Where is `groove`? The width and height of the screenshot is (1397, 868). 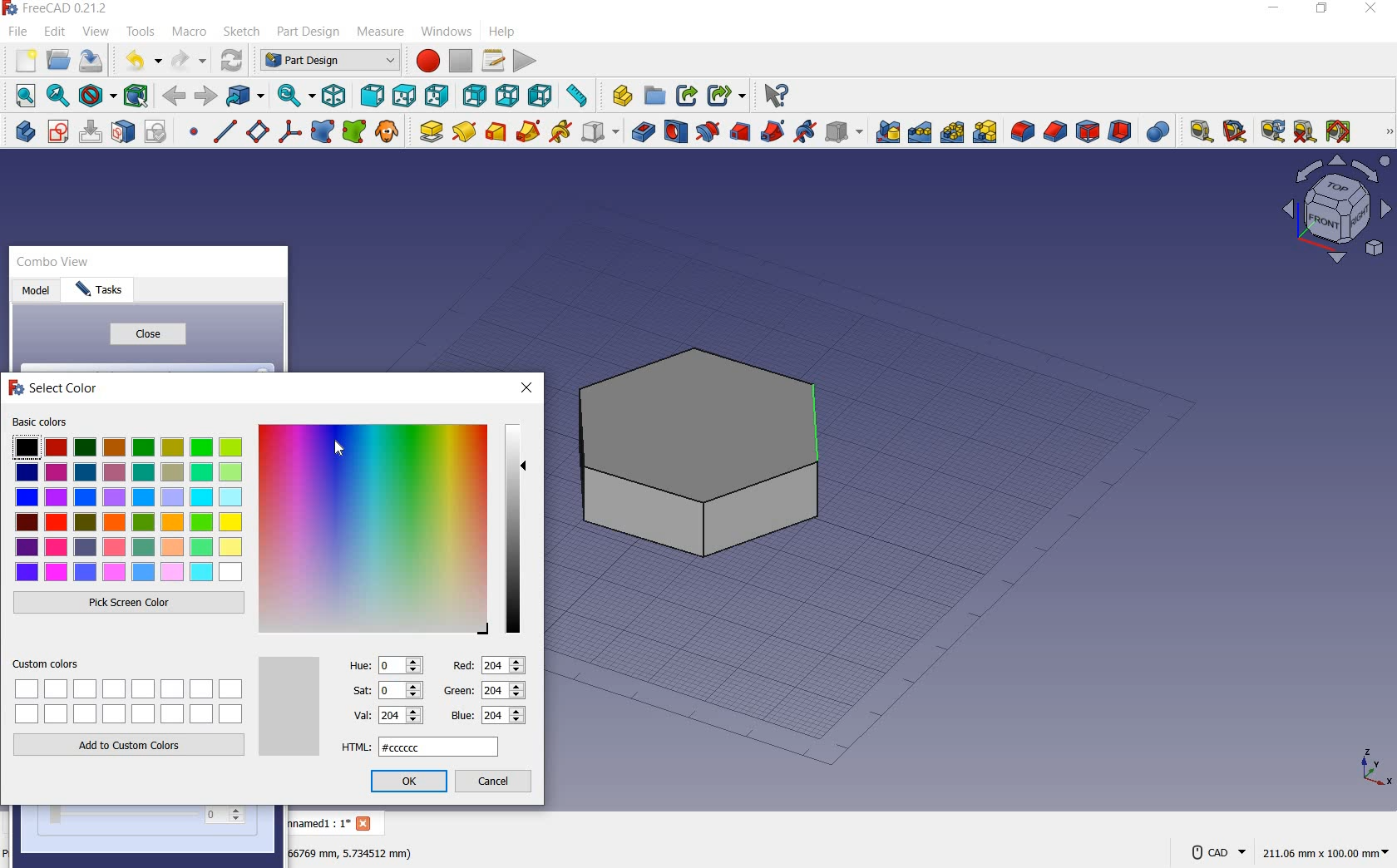
groove is located at coordinates (706, 132).